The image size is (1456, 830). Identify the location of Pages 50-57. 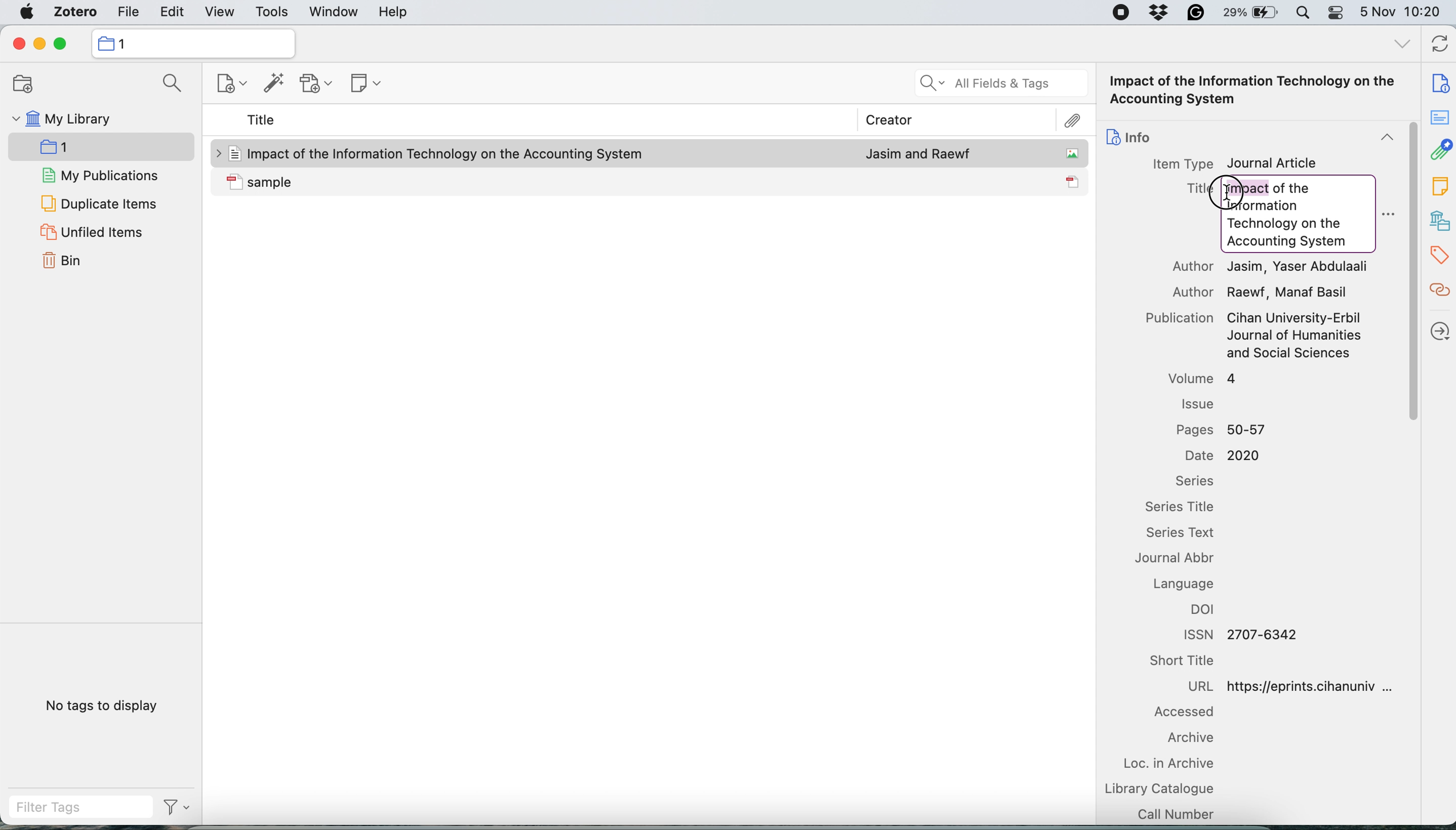
(1220, 430).